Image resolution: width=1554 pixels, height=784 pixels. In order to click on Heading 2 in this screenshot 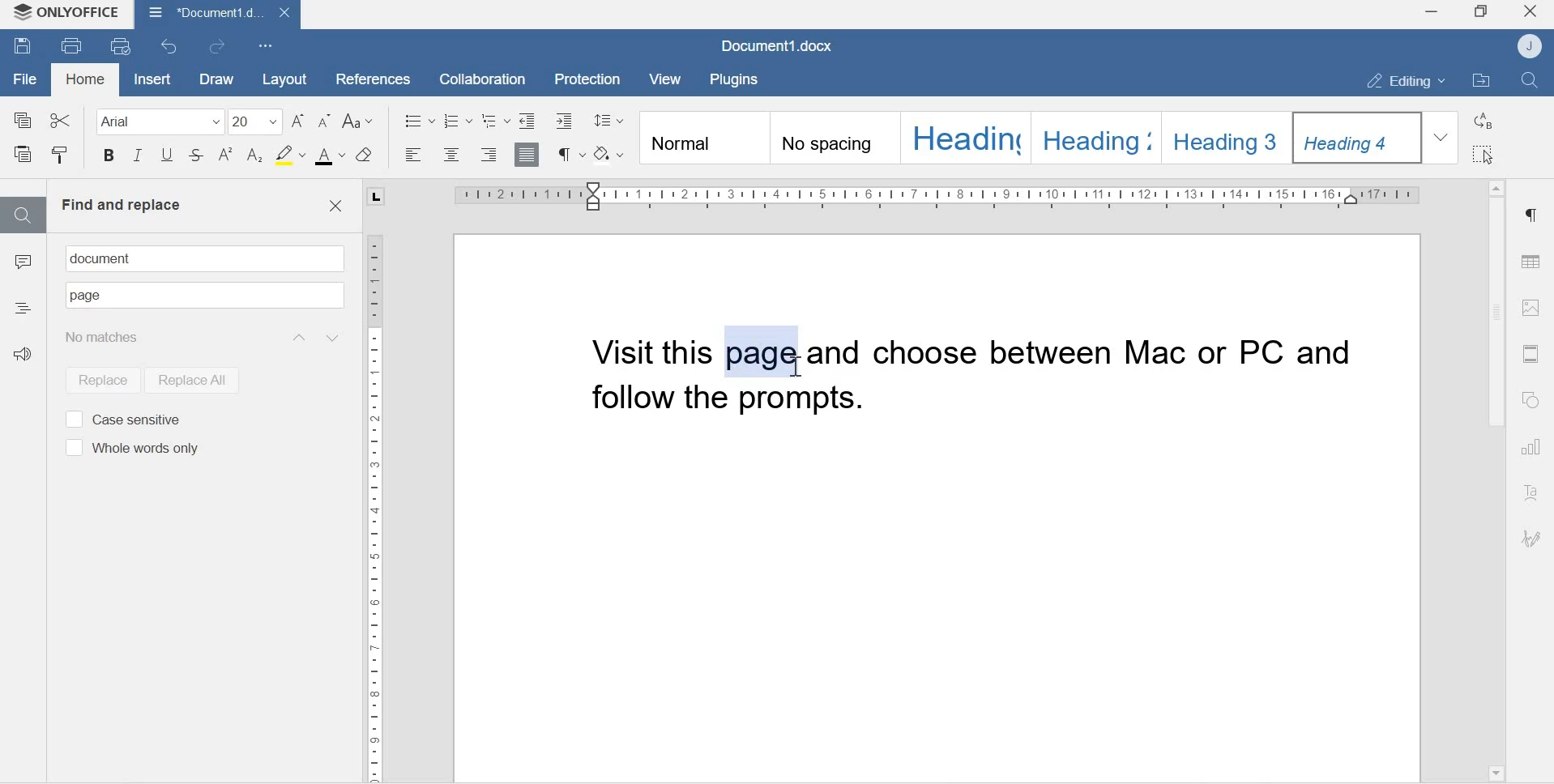, I will do `click(1098, 136)`.